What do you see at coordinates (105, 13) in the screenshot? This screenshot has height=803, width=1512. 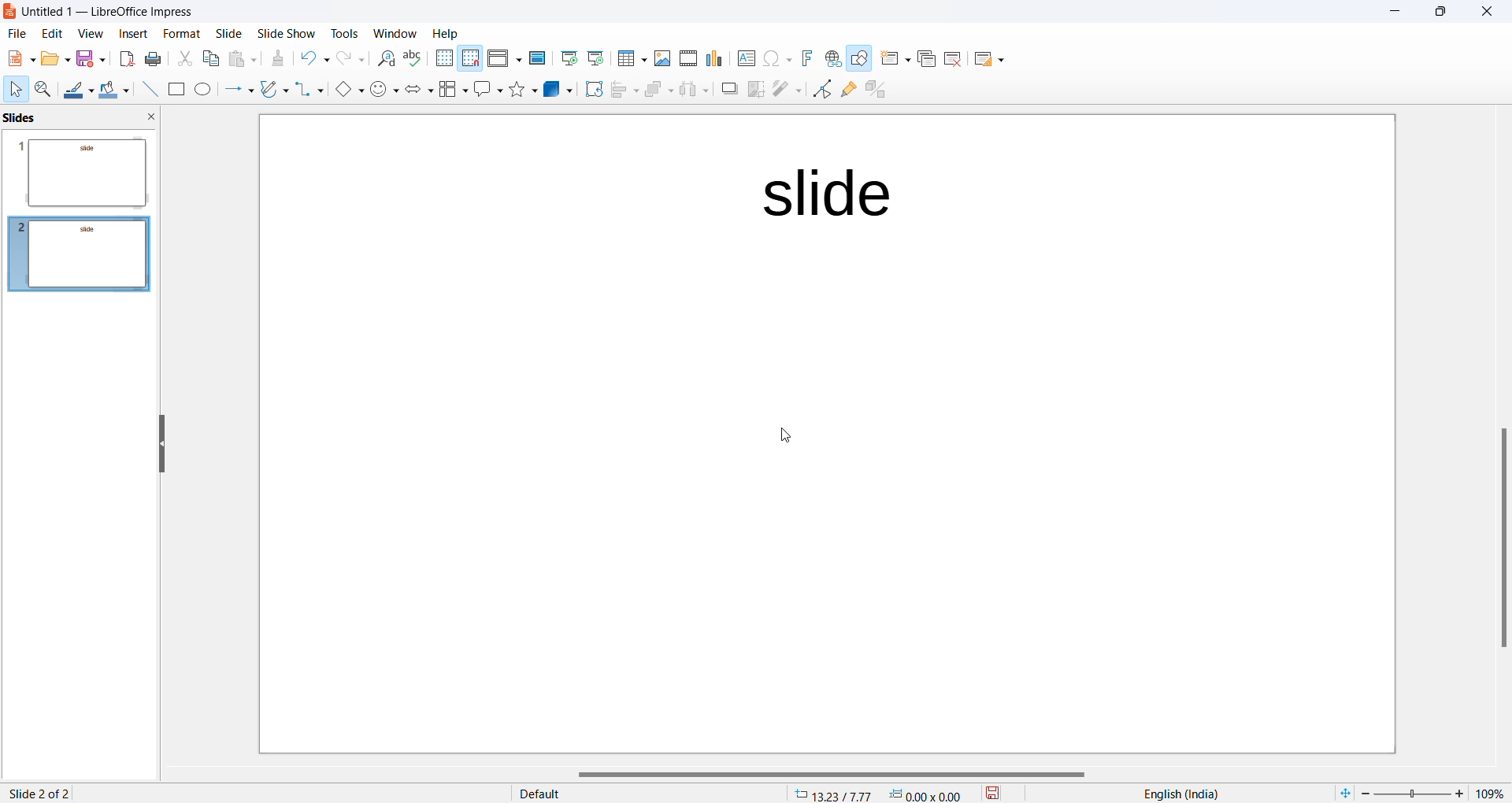 I see `current window: Untitled 1 — LibreOffice Impress` at bounding box center [105, 13].